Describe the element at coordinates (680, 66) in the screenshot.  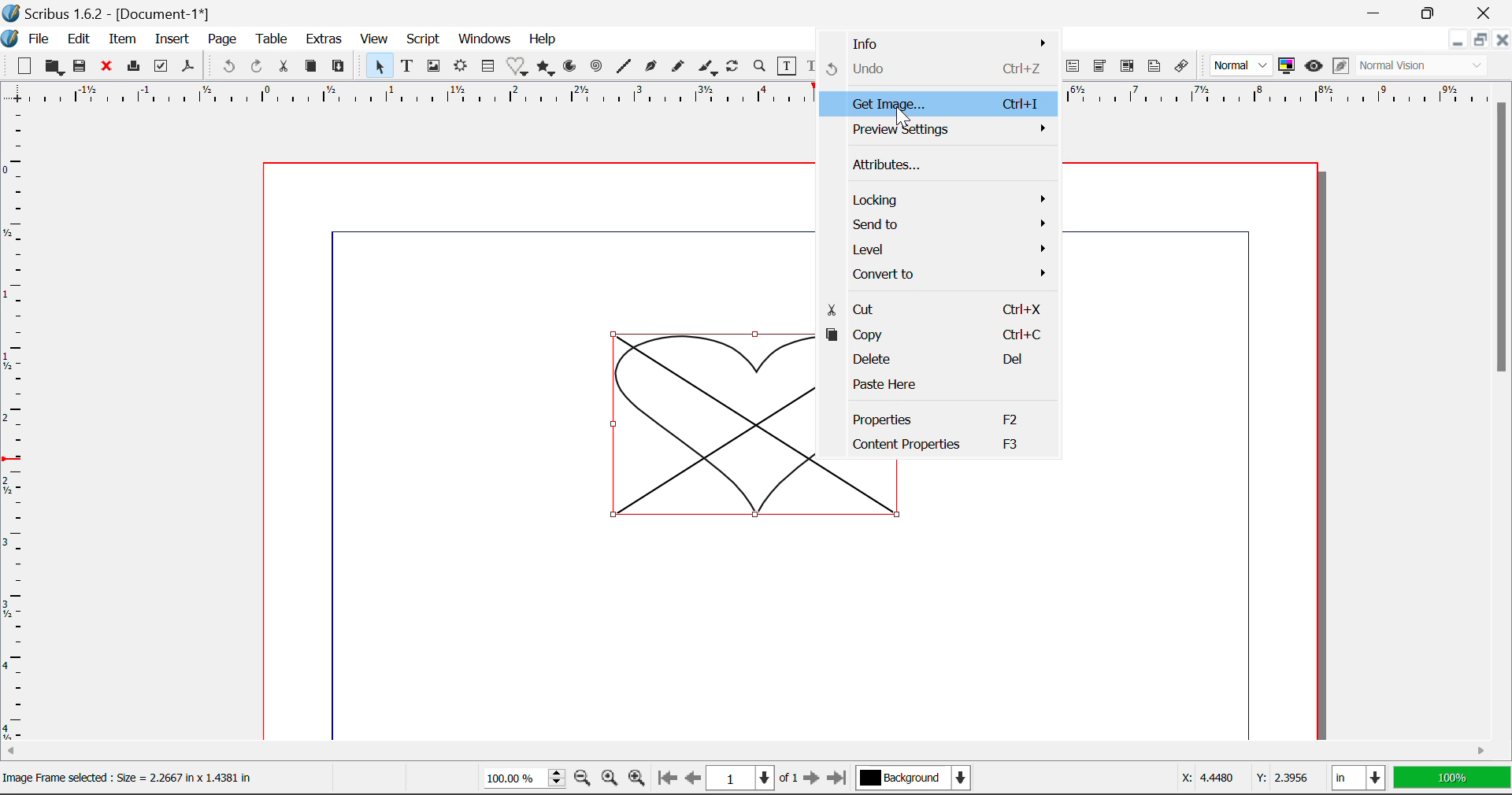
I see `Freehand Curve` at that location.